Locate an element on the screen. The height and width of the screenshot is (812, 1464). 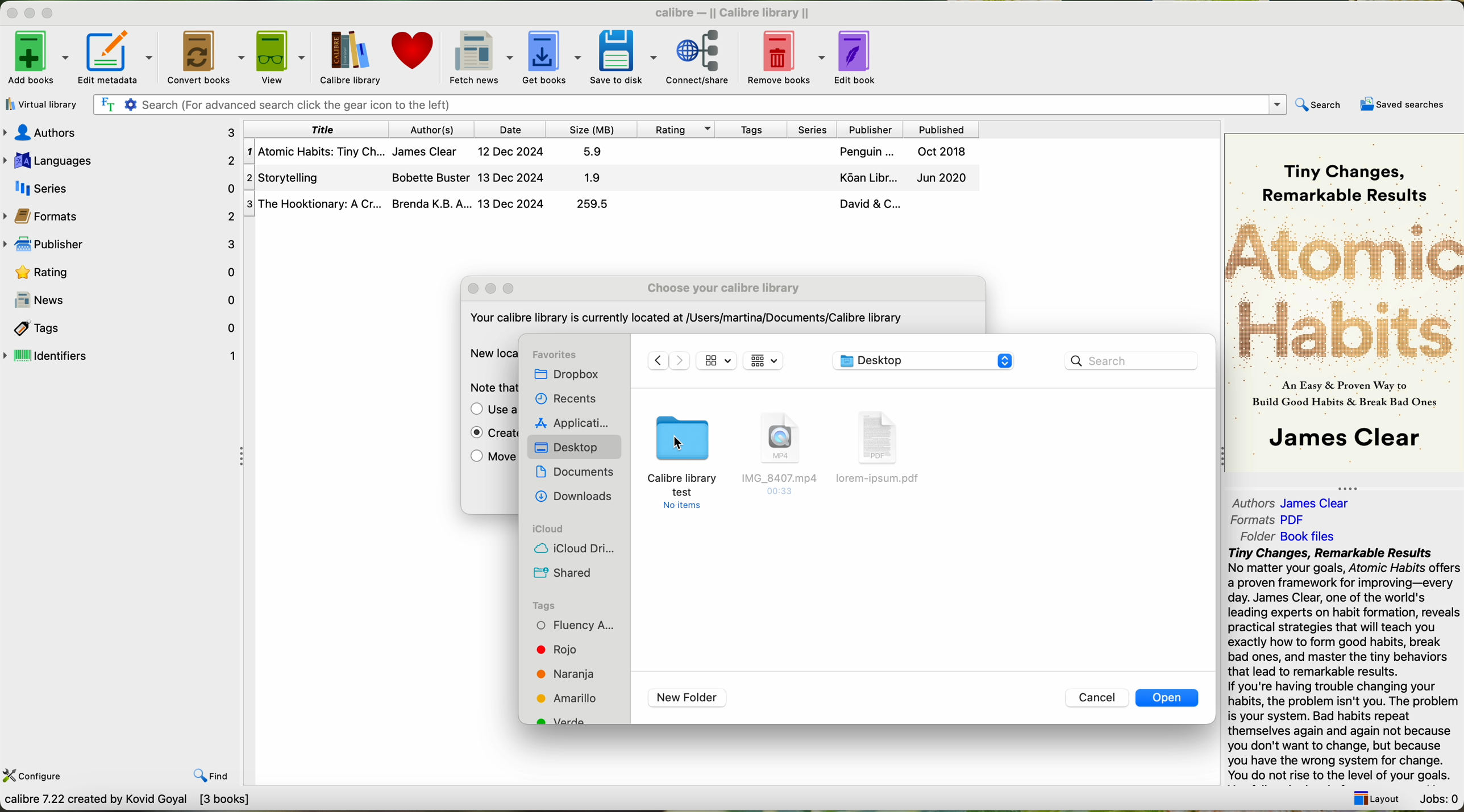
new location is located at coordinates (490, 353).